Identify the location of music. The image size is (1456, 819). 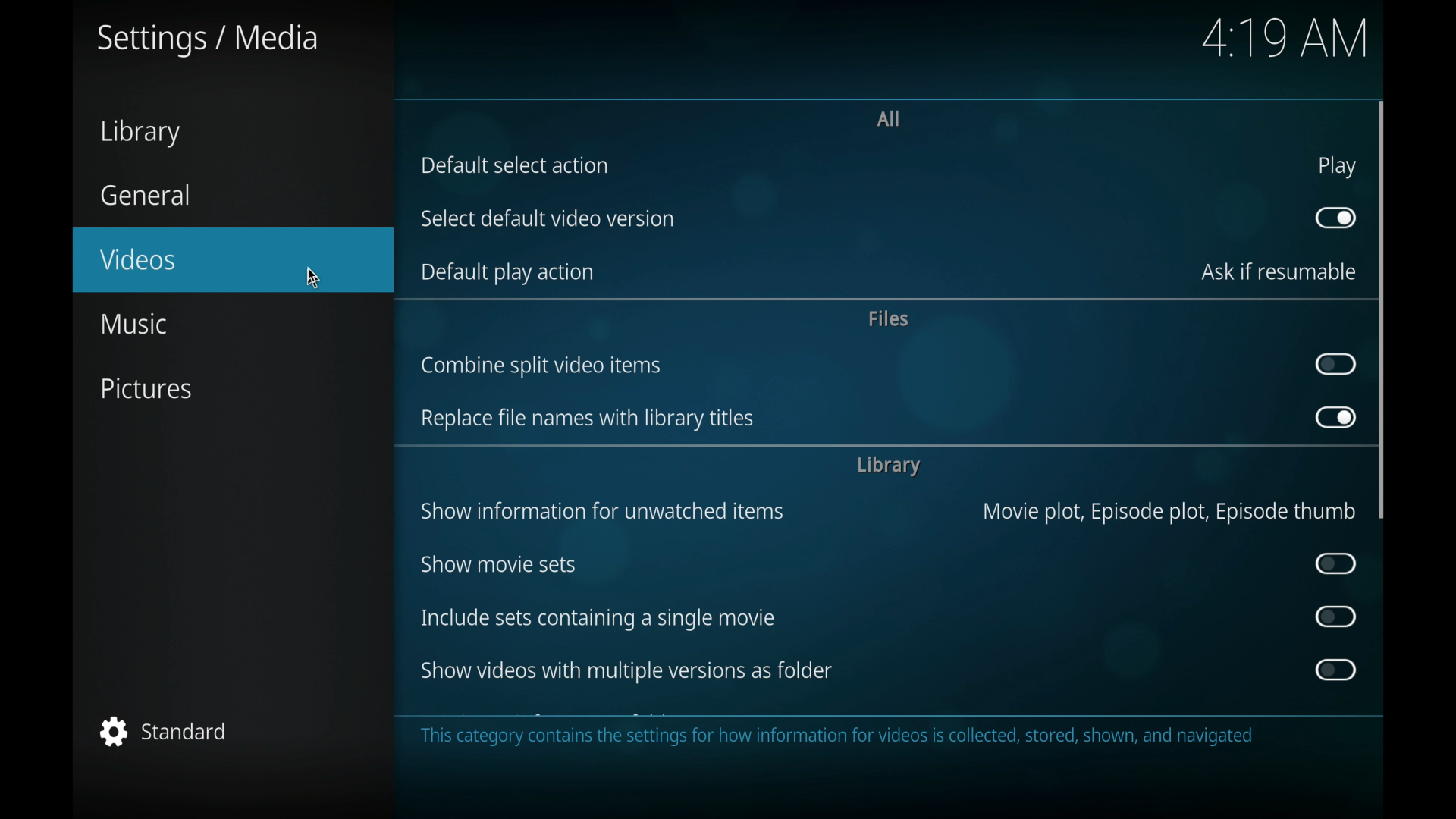
(133, 325).